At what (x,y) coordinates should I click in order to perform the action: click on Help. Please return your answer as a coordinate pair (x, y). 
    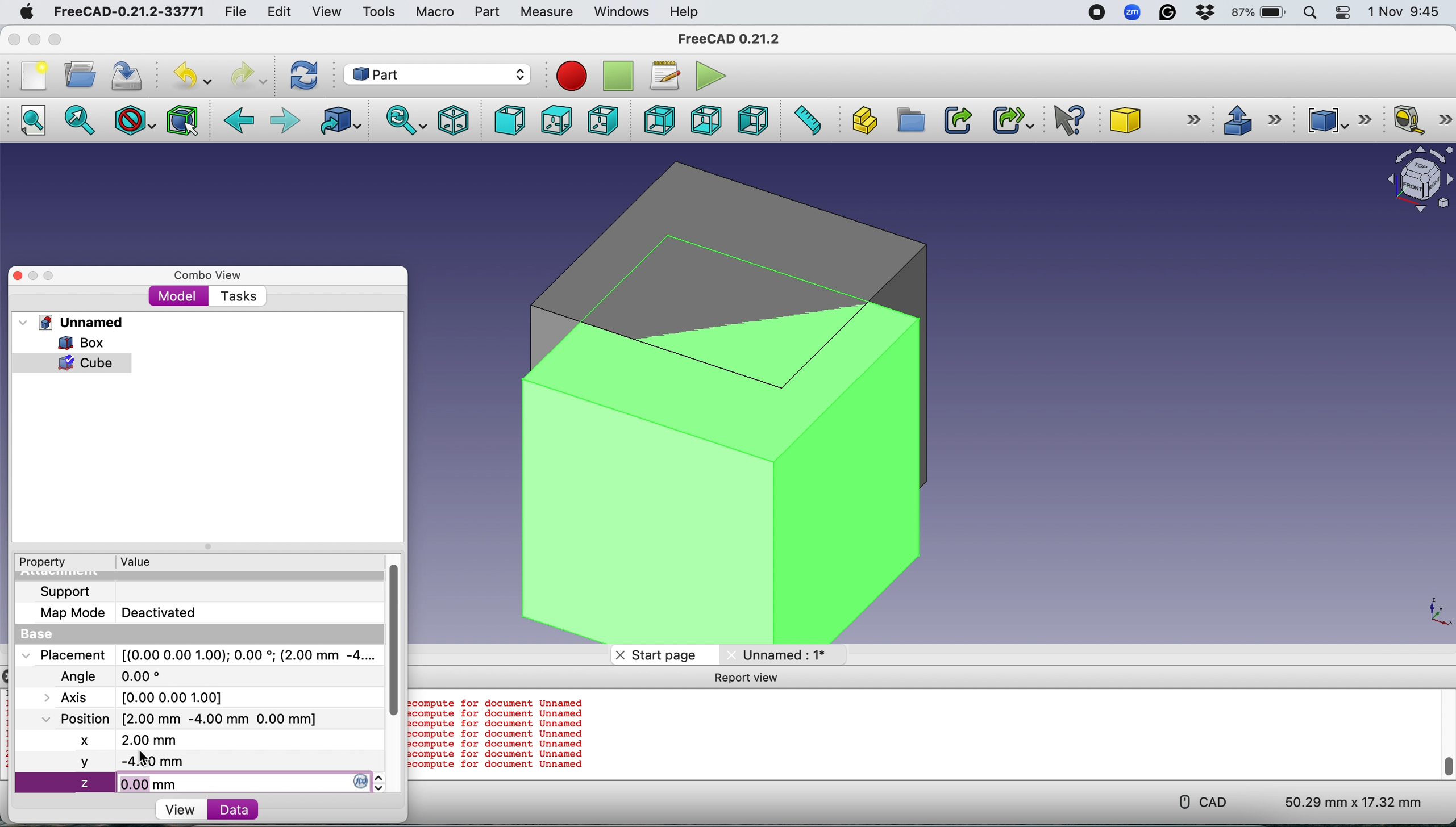
    Looking at the image, I should click on (685, 11).